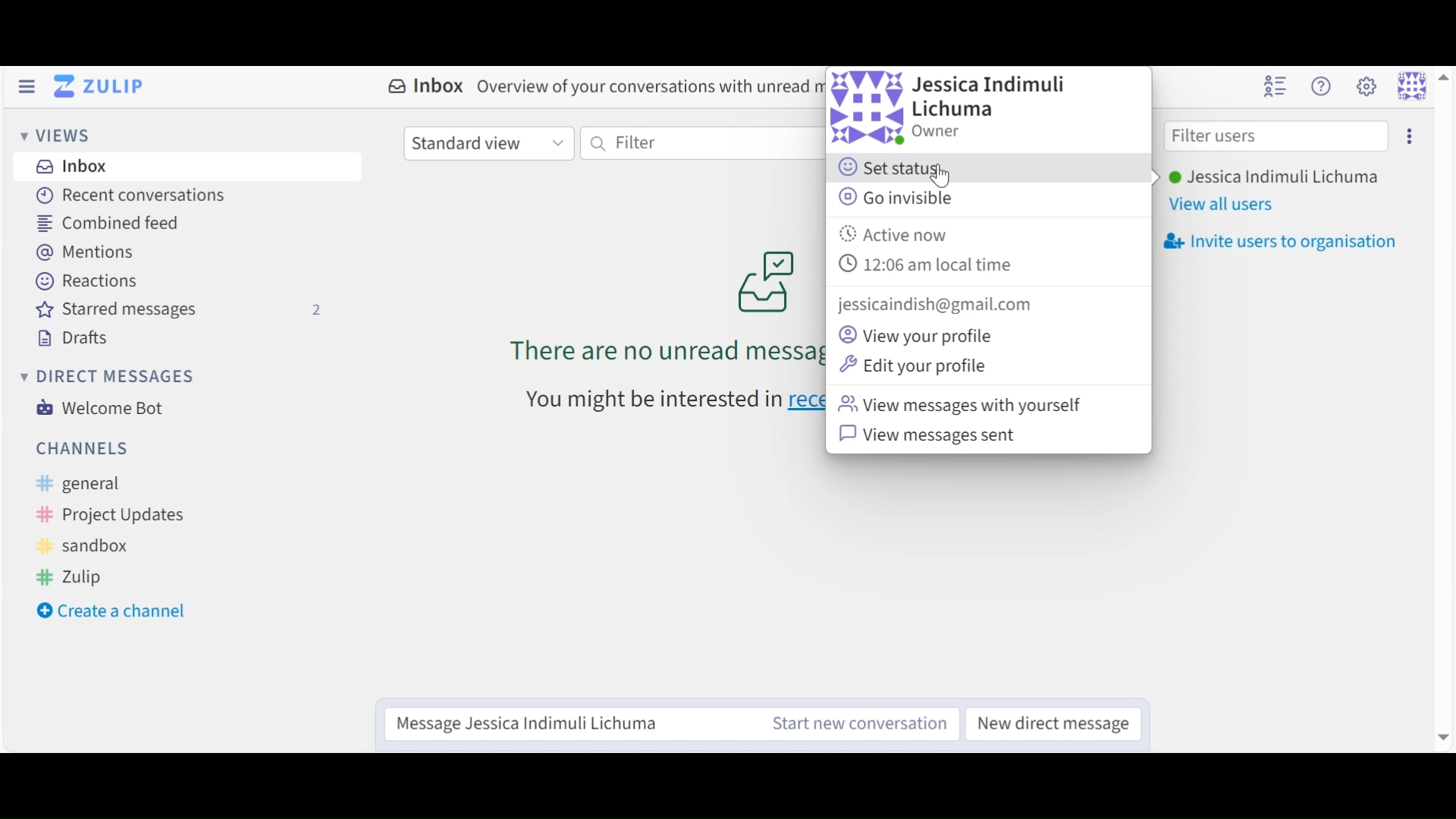 The height and width of the screenshot is (819, 1456). I want to click on Go to Home View (inbox), so click(102, 87).